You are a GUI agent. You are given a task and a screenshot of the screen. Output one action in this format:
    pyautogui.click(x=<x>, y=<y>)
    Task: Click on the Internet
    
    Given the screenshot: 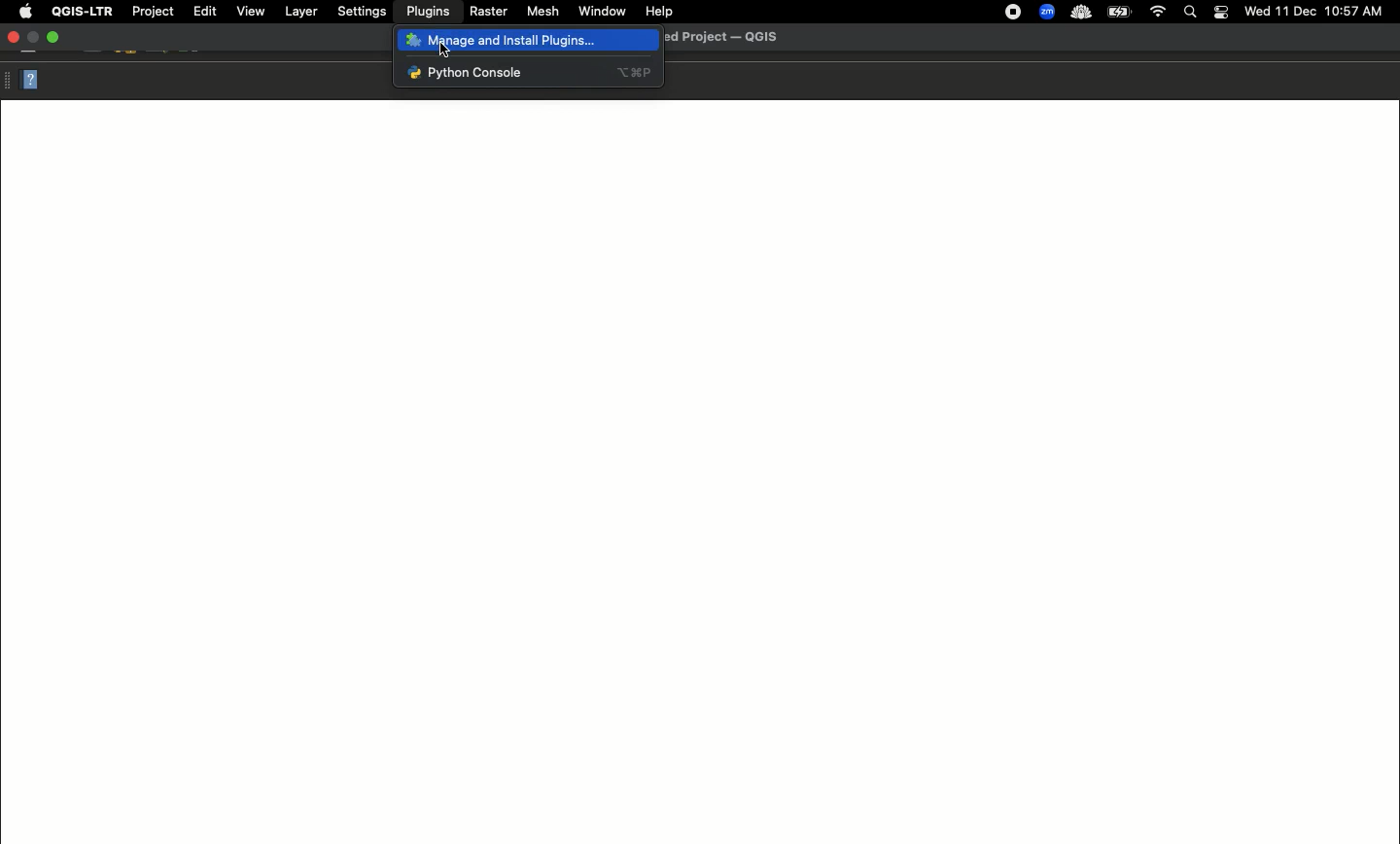 What is the action you would take?
    pyautogui.click(x=1159, y=11)
    